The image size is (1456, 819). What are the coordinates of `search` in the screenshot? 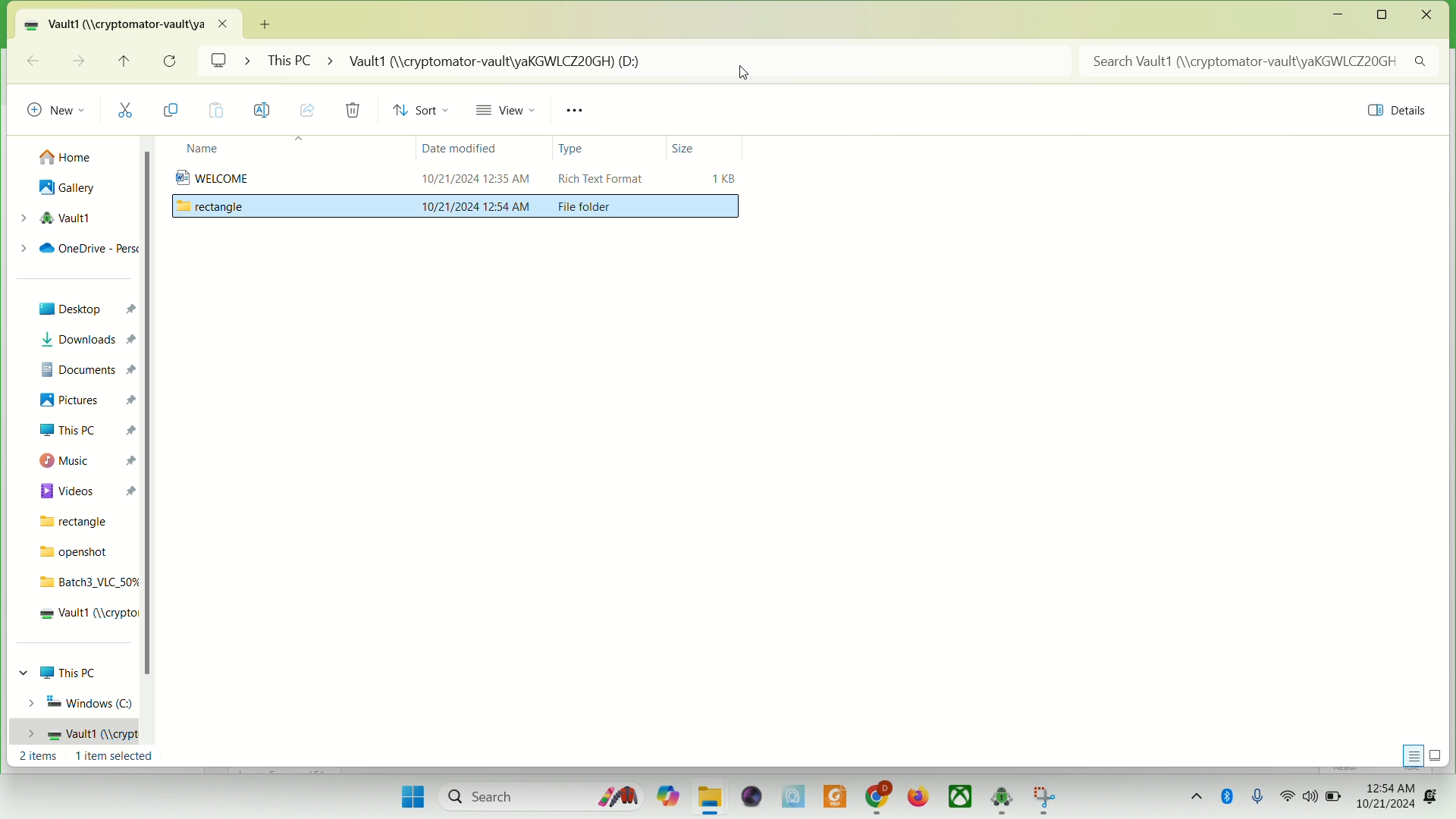 It's located at (536, 797).